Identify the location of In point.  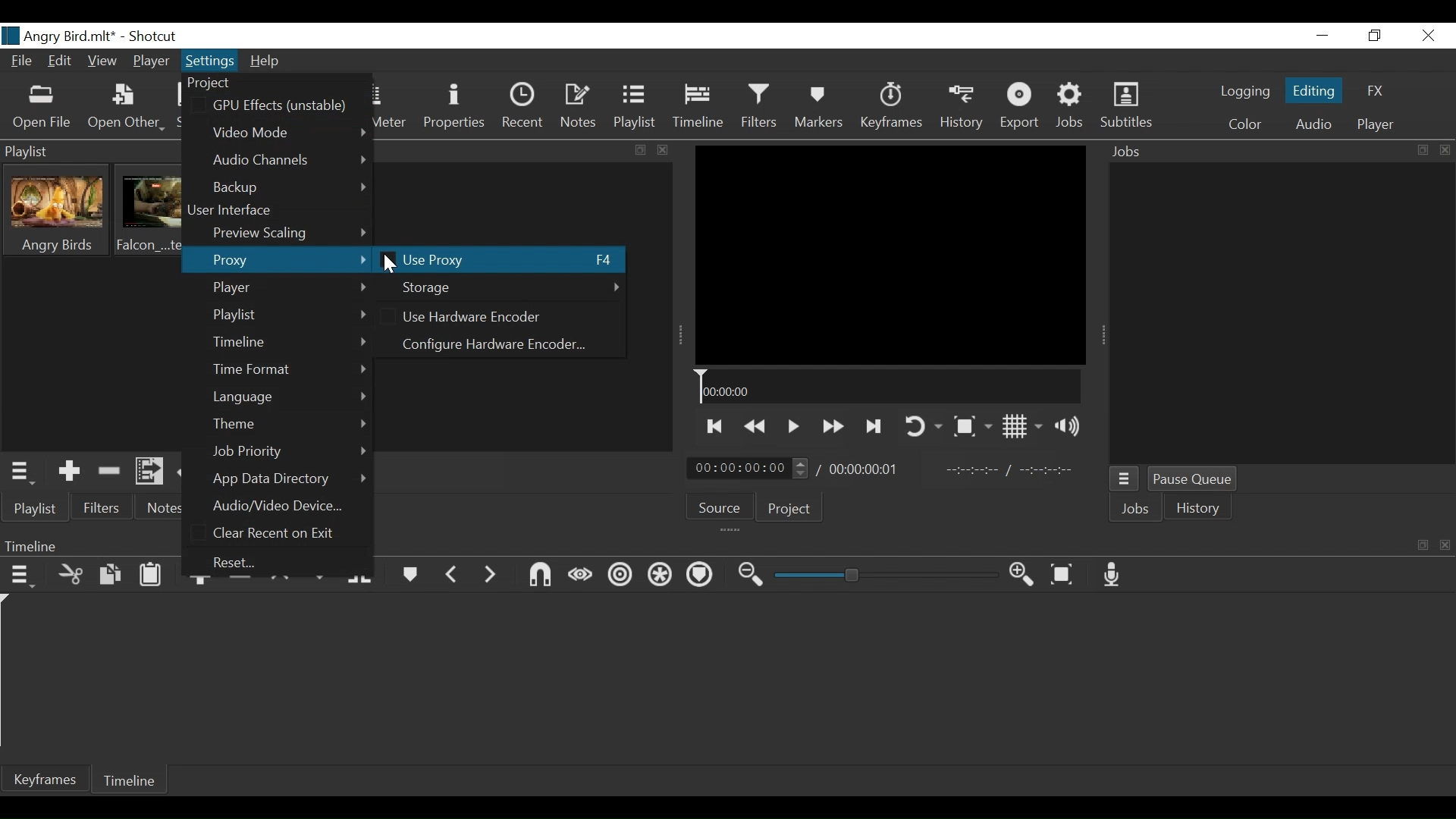
(1013, 471).